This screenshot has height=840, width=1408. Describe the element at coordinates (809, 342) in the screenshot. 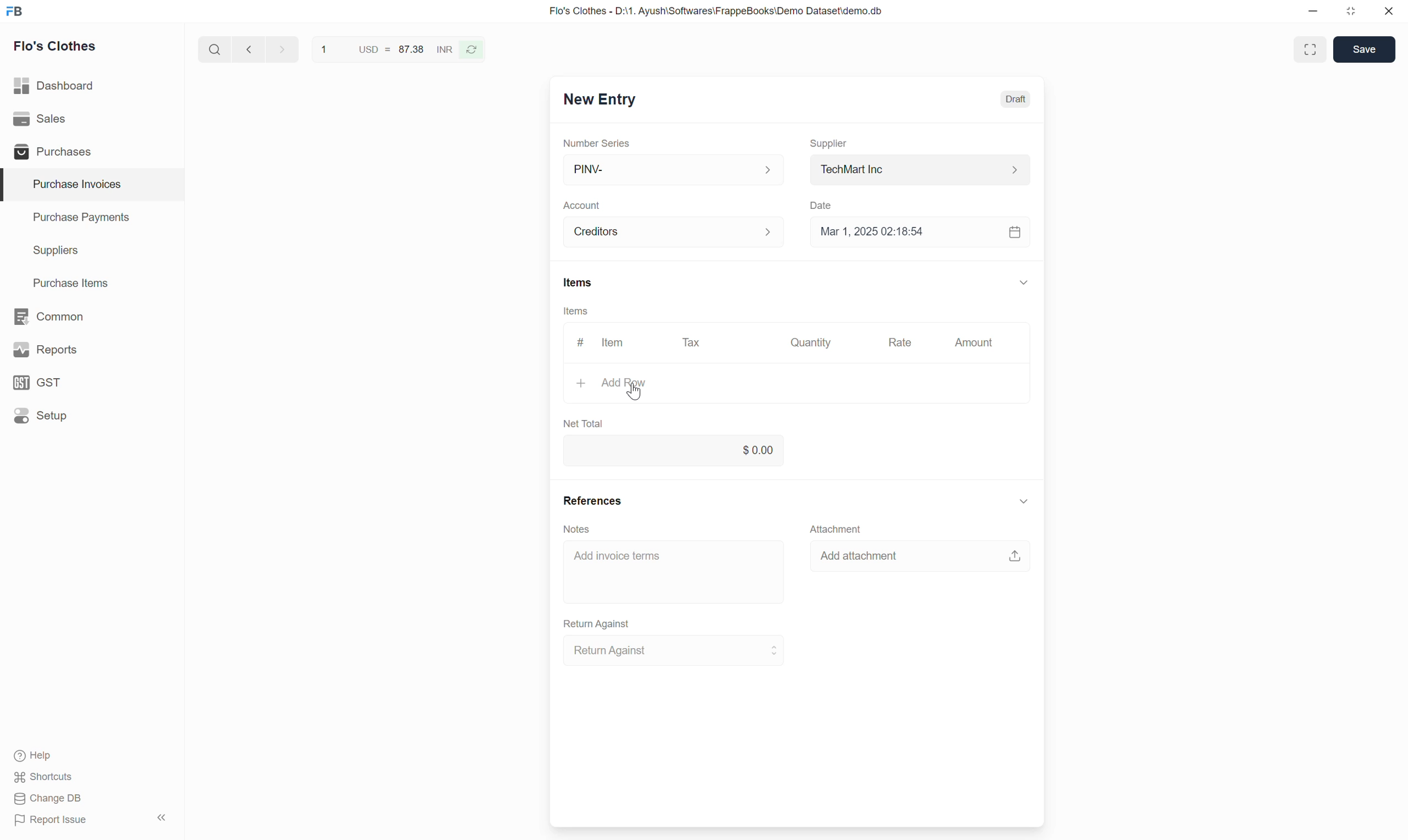

I see `Quantity` at that location.